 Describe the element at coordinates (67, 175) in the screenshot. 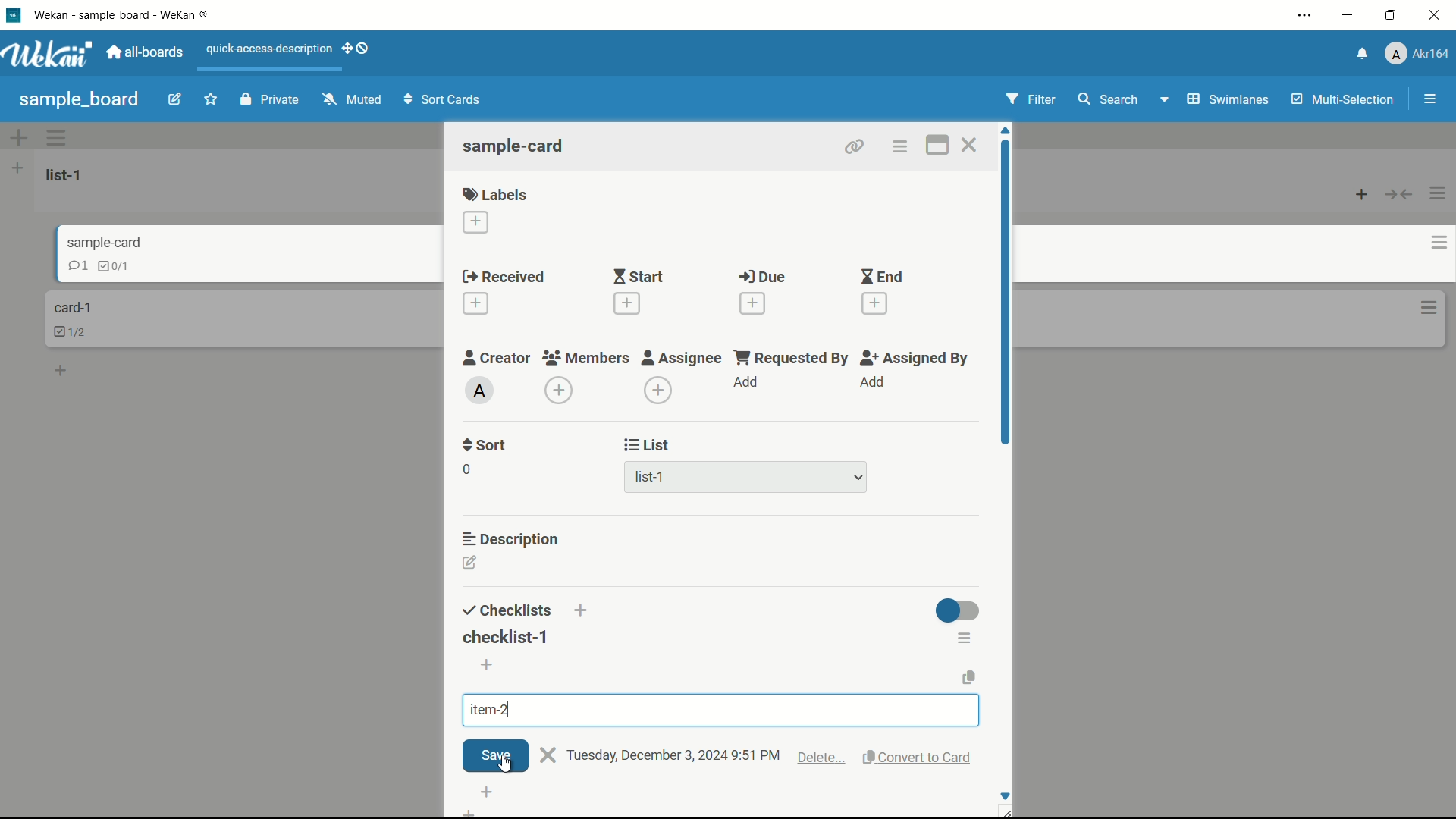

I see `list name` at that location.